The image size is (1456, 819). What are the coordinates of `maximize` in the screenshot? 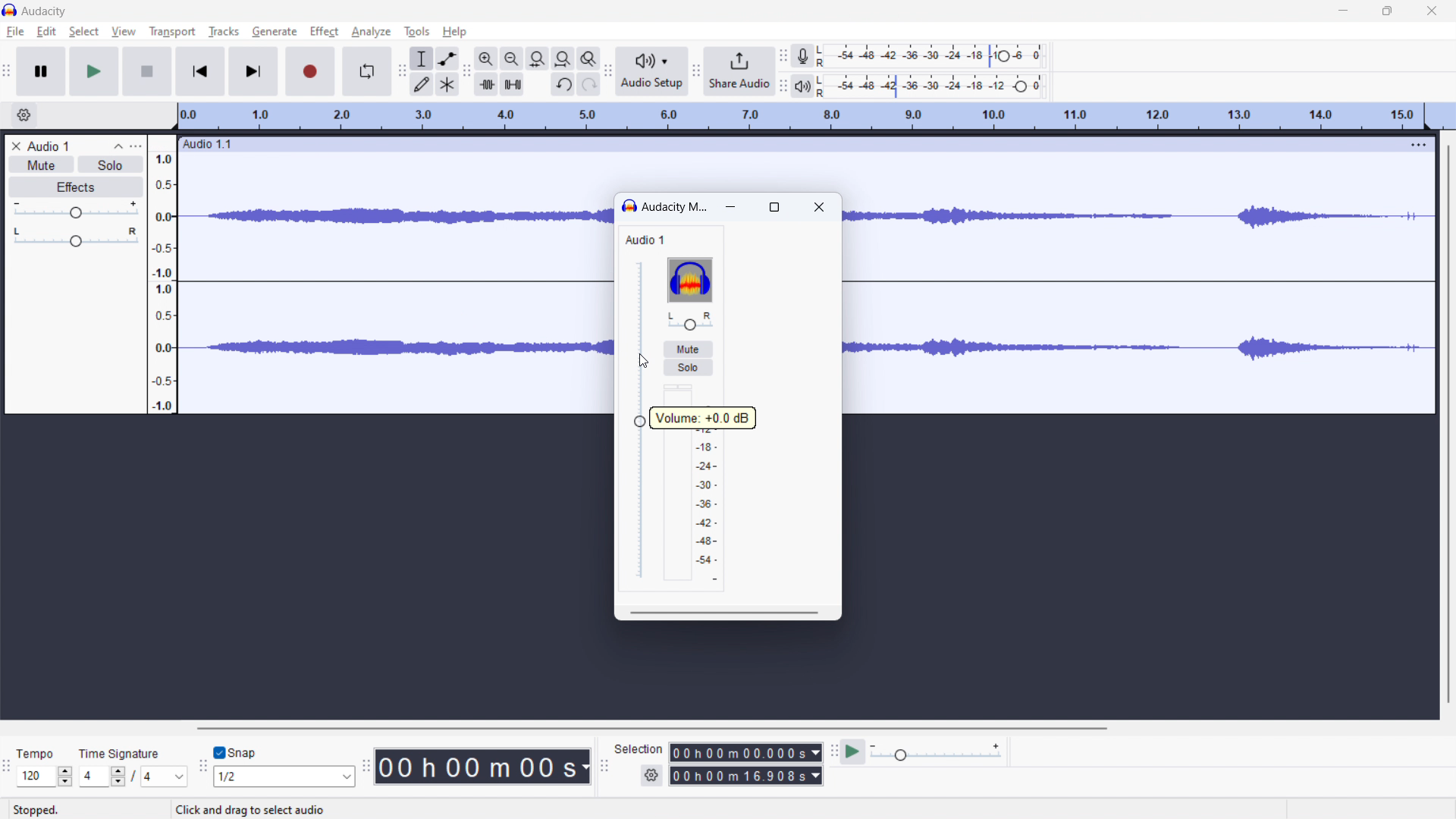 It's located at (775, 207).